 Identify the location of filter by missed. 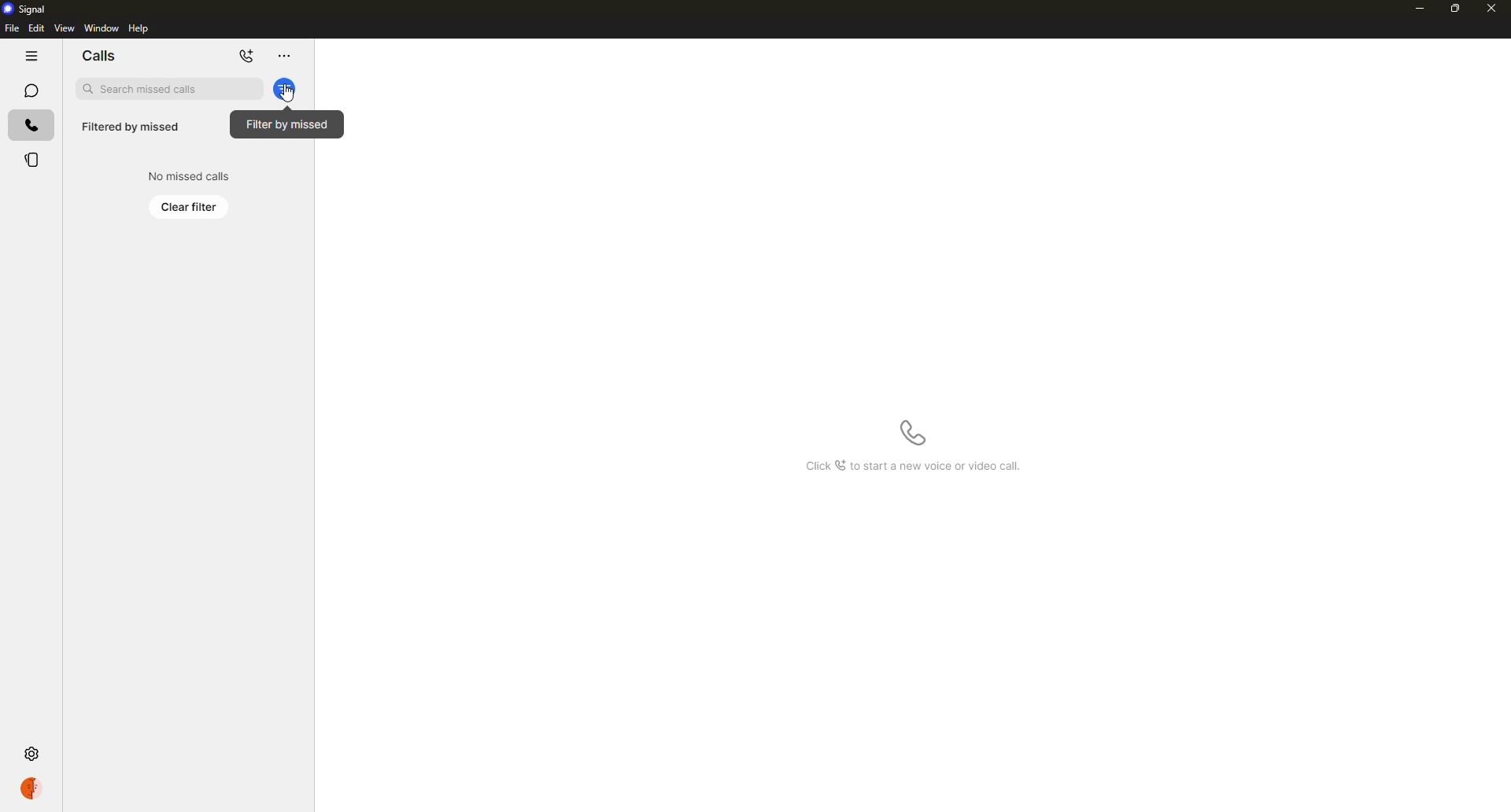
(288, 124).